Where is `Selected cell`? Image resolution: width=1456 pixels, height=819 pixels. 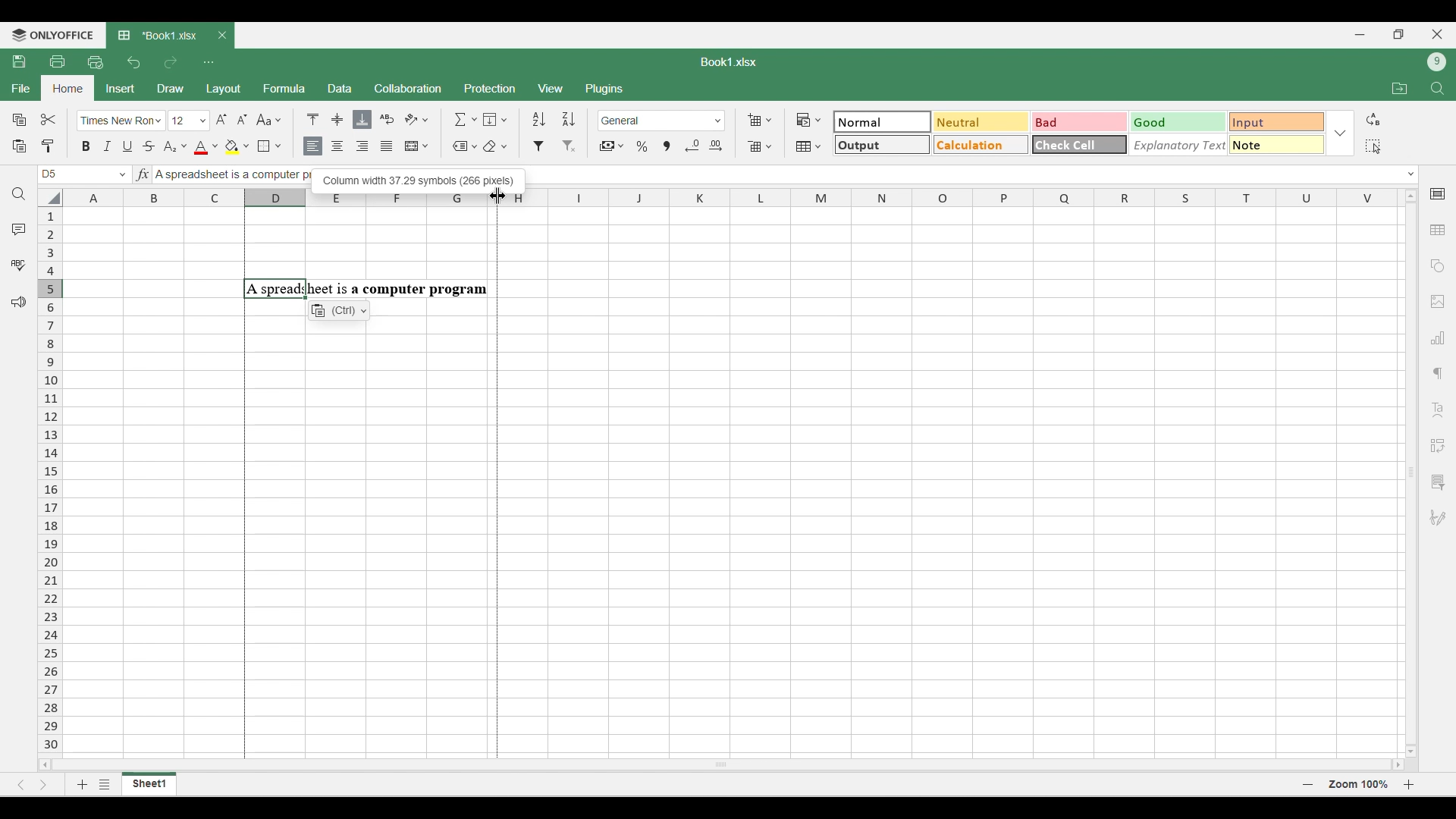 Selected cell is located at coordinates (49, 174).